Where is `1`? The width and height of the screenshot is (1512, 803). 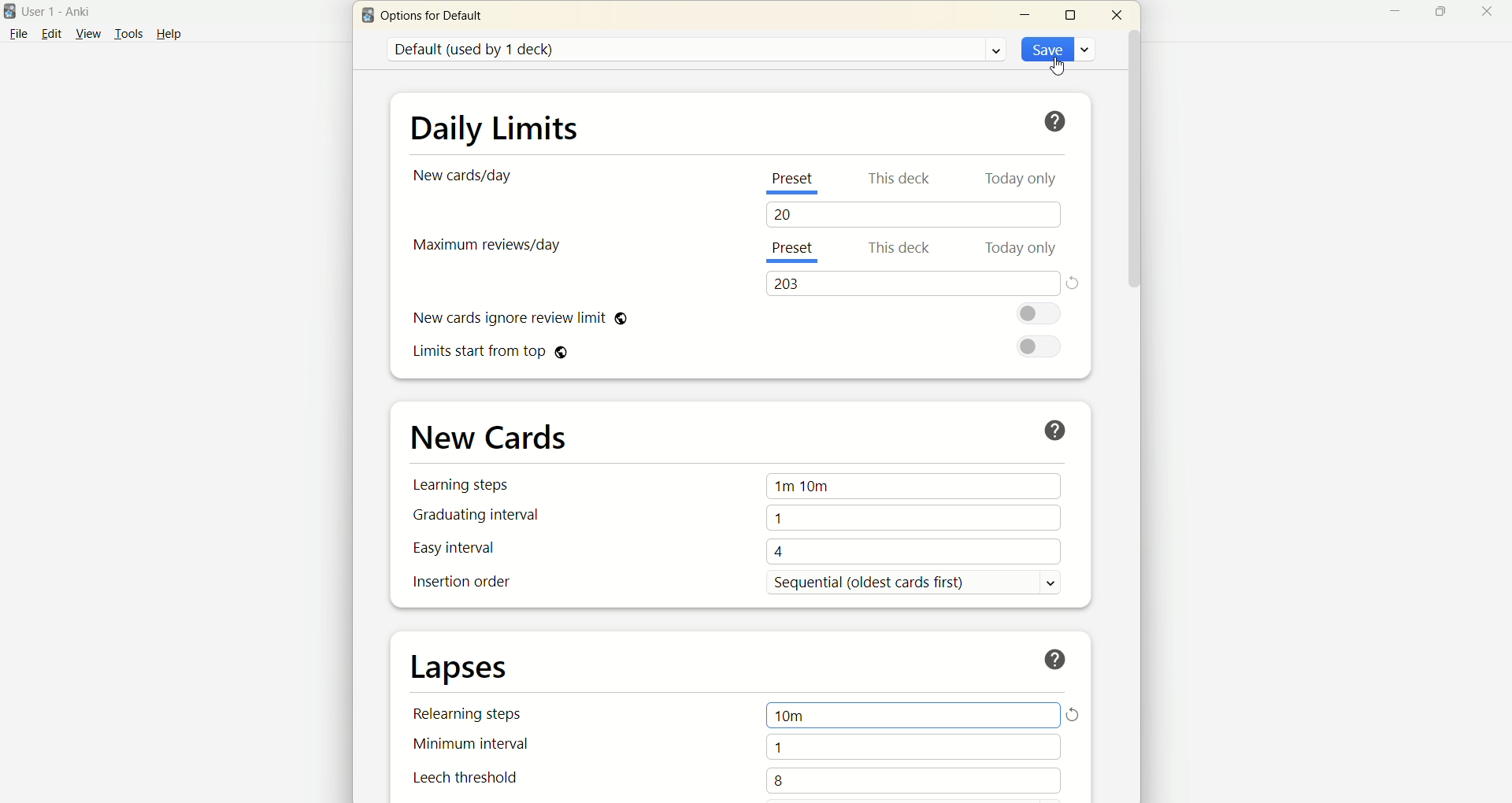
1 is located at coordinates (913, 517).